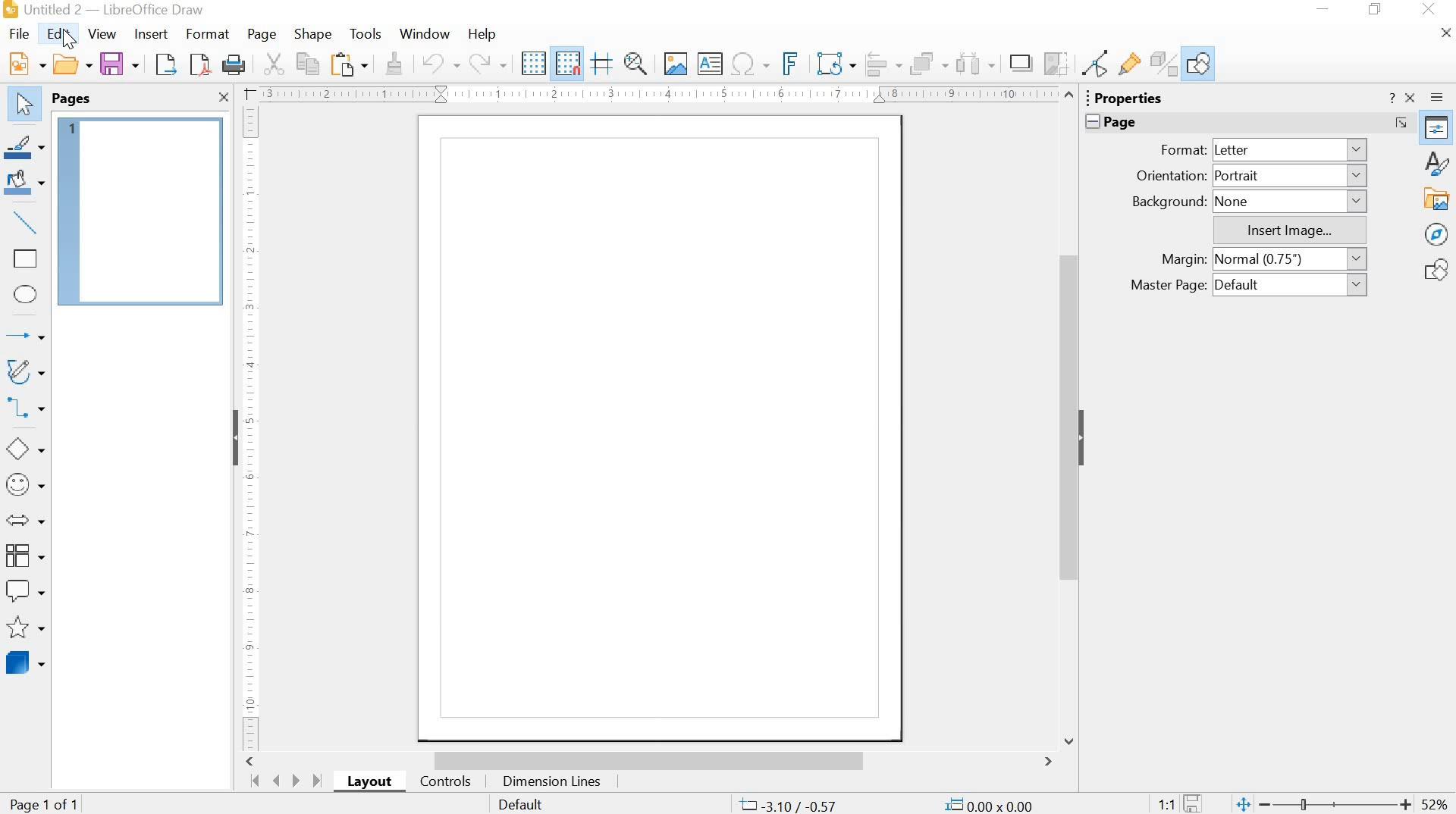 The width and height of the screenshot is (1456, 814). I want to click on New, so click(27, 63).